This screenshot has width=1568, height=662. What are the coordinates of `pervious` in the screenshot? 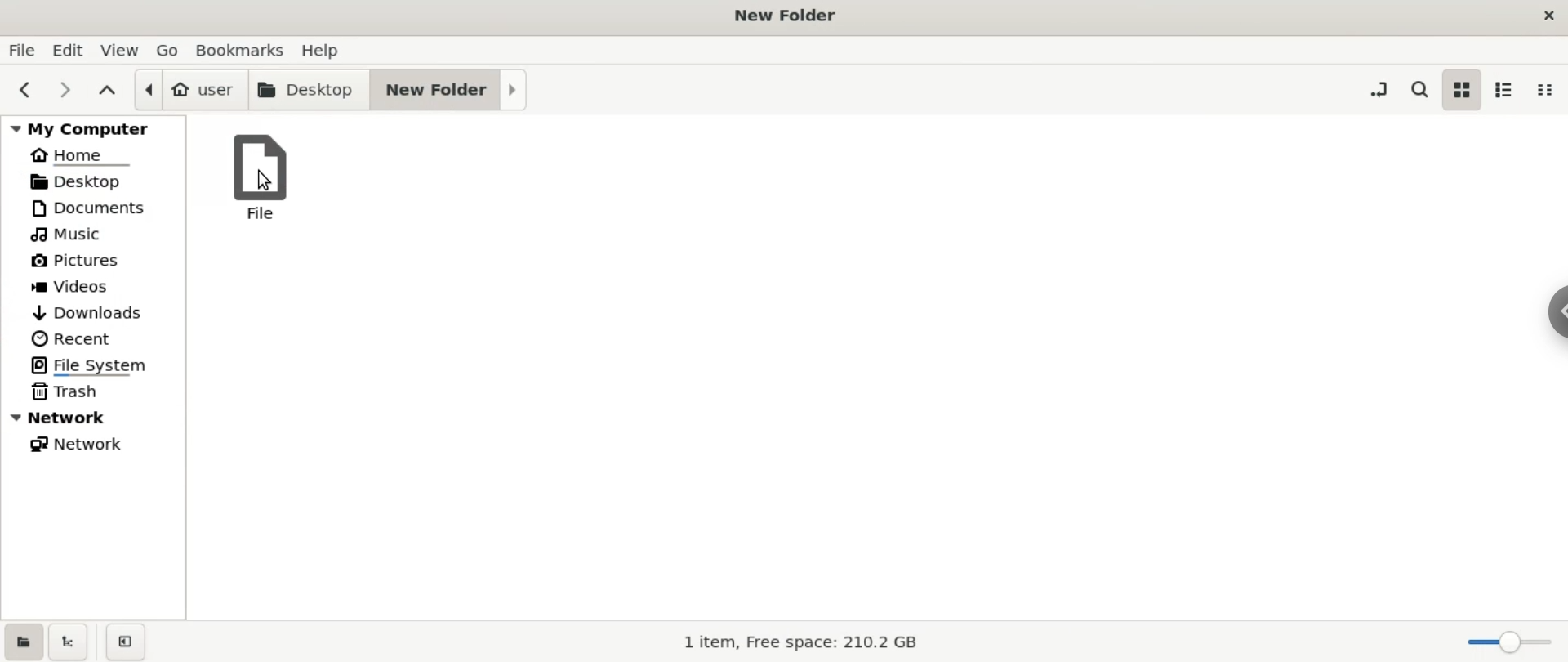 It's located at (23, 88).